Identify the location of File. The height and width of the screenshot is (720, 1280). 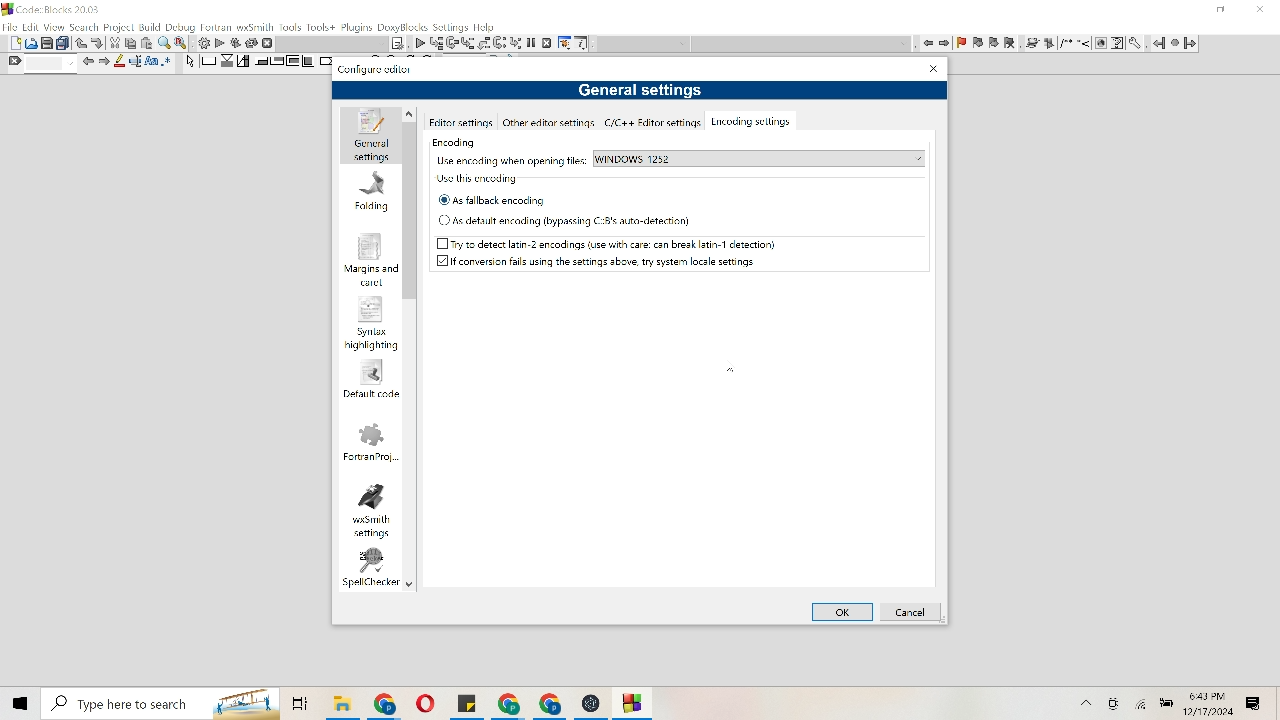
(386, 703).